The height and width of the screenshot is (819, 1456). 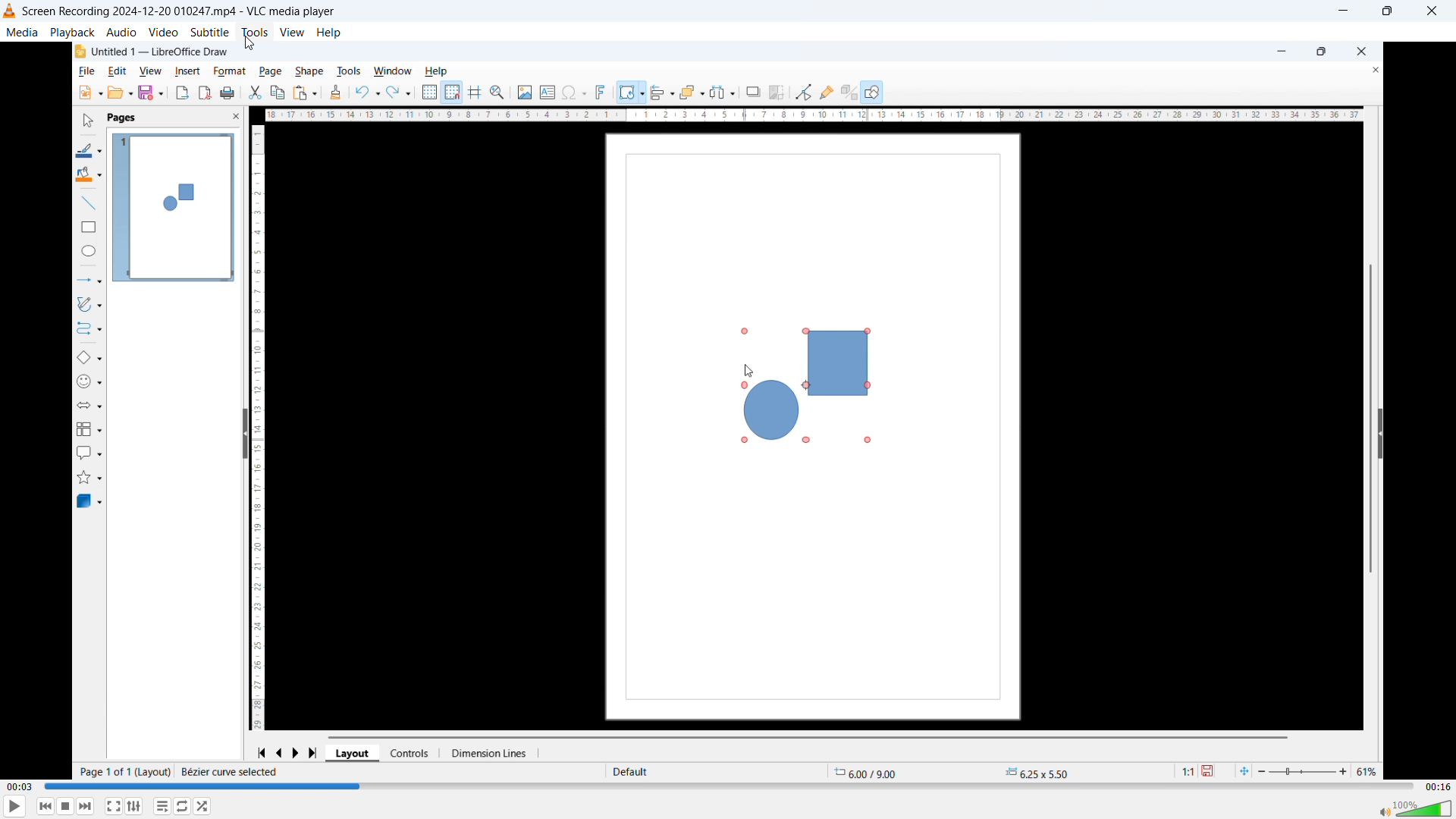 What do you see at coordinates (66, 806) in the screenshot?
I see `Stop playback ` at bounding box center [66, 806].